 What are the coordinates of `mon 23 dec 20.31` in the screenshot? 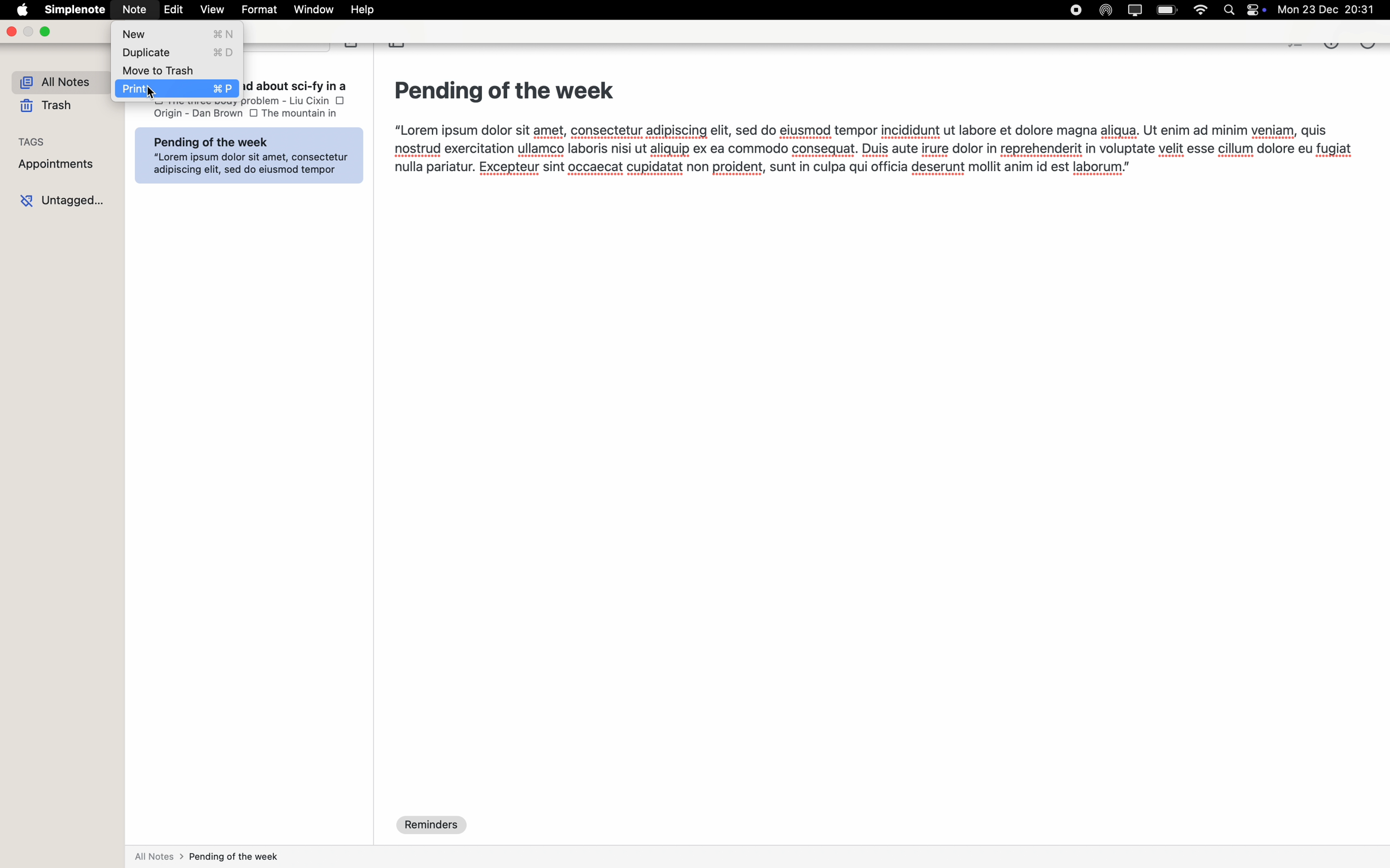 It's located at (1329, 10).